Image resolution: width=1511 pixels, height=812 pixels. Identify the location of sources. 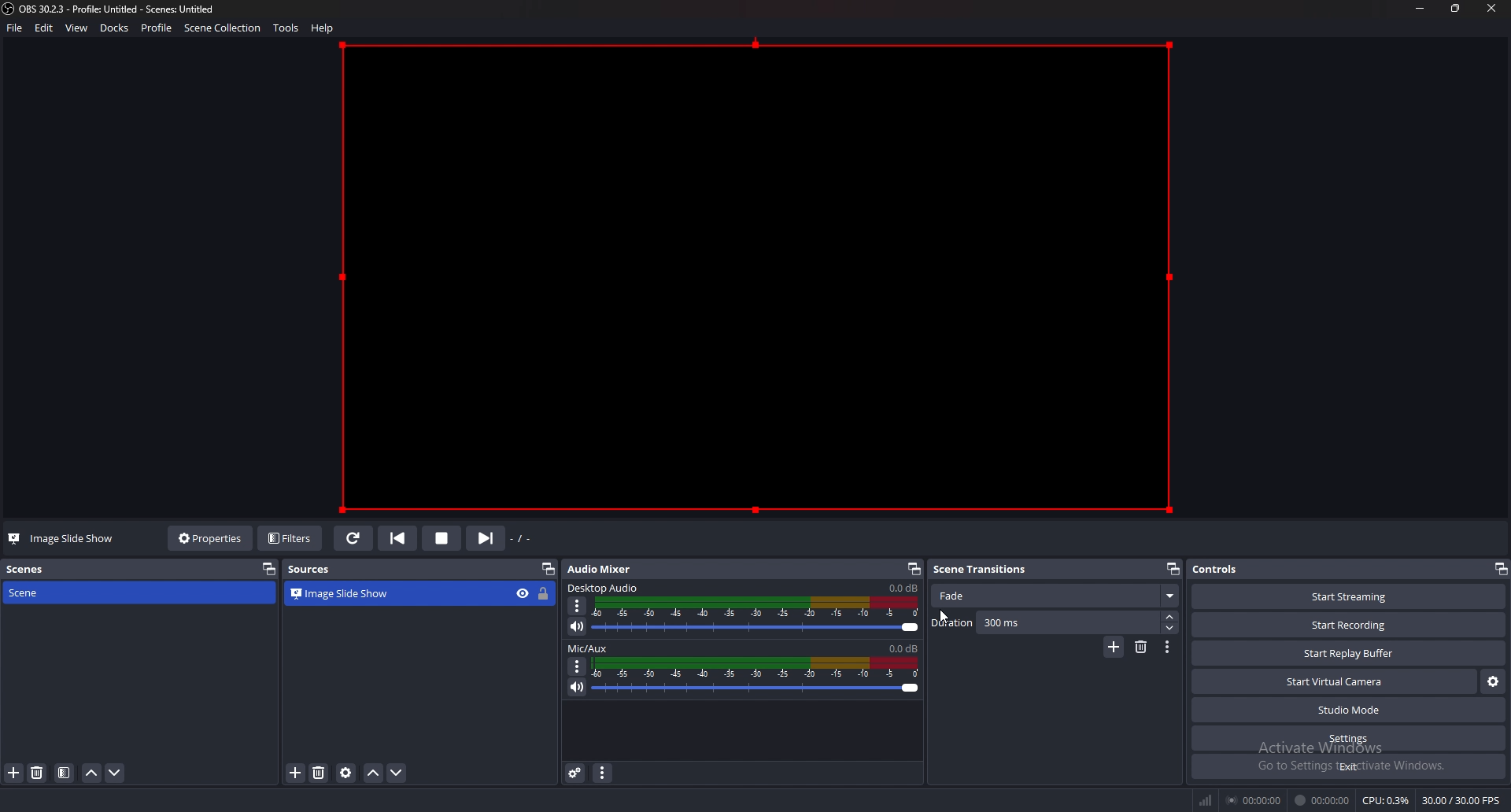
(317, 570).